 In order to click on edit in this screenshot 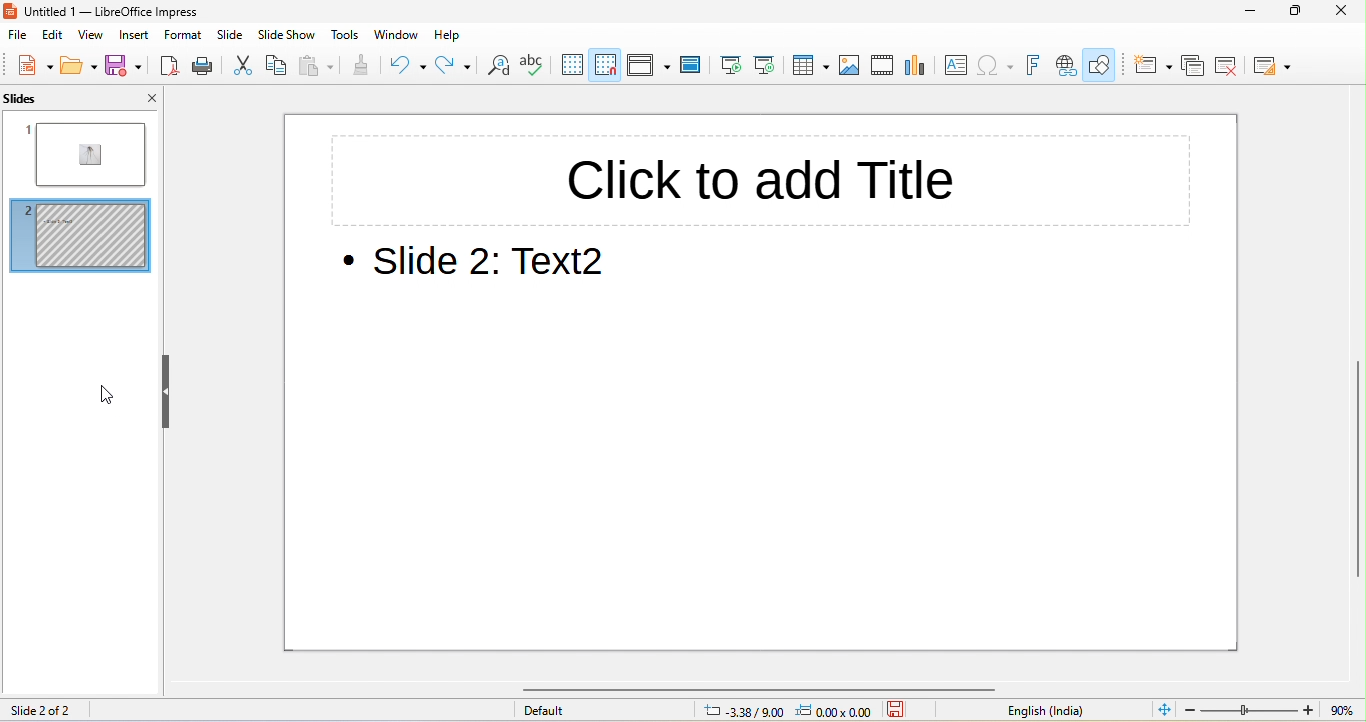, I will do `click(56, 38)`.